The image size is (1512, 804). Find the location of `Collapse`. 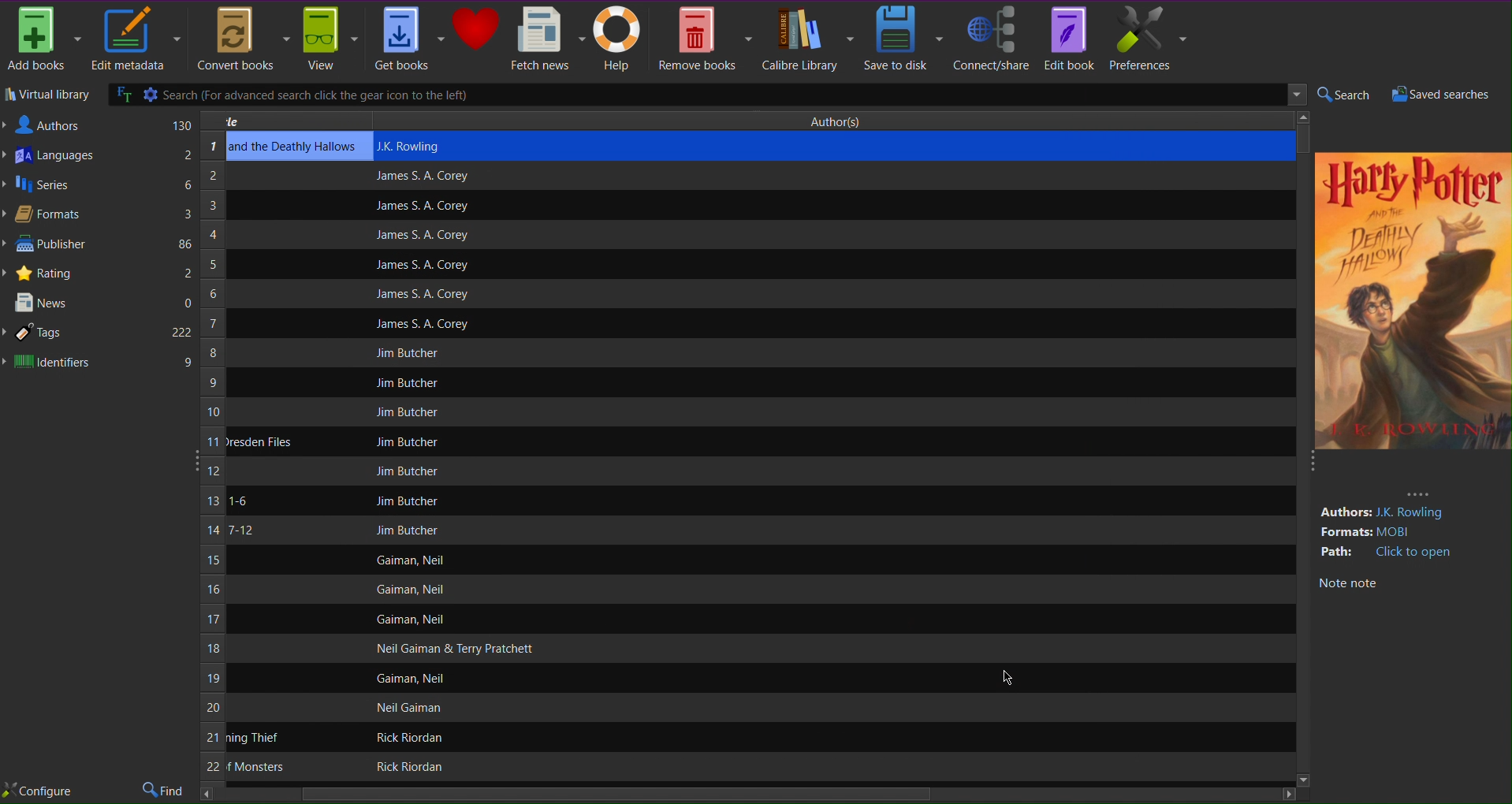

Collapse is located at coordinates (192, 458).